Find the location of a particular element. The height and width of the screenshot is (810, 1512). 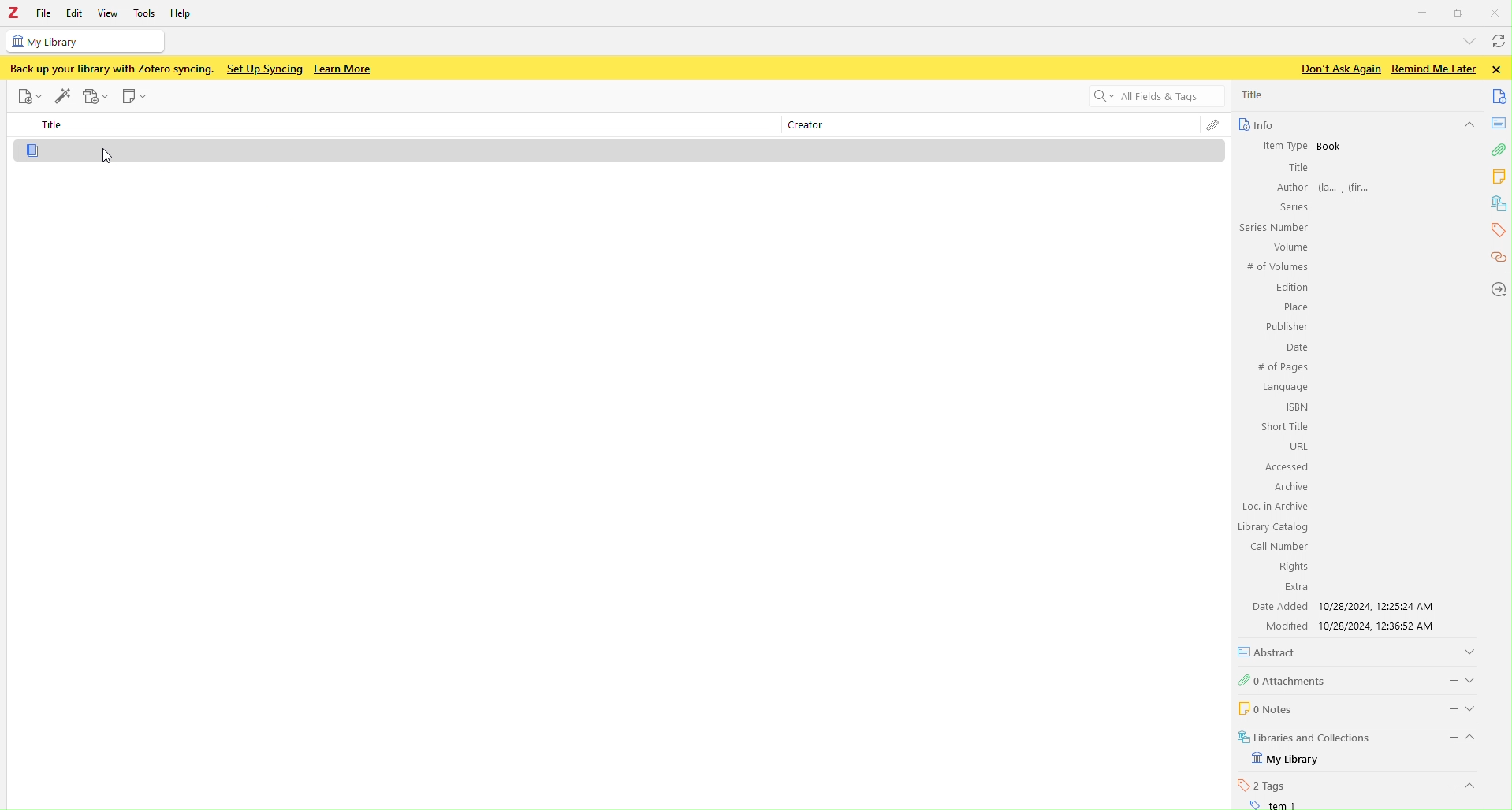

# of Pages is located at coordinates (1282, 368).